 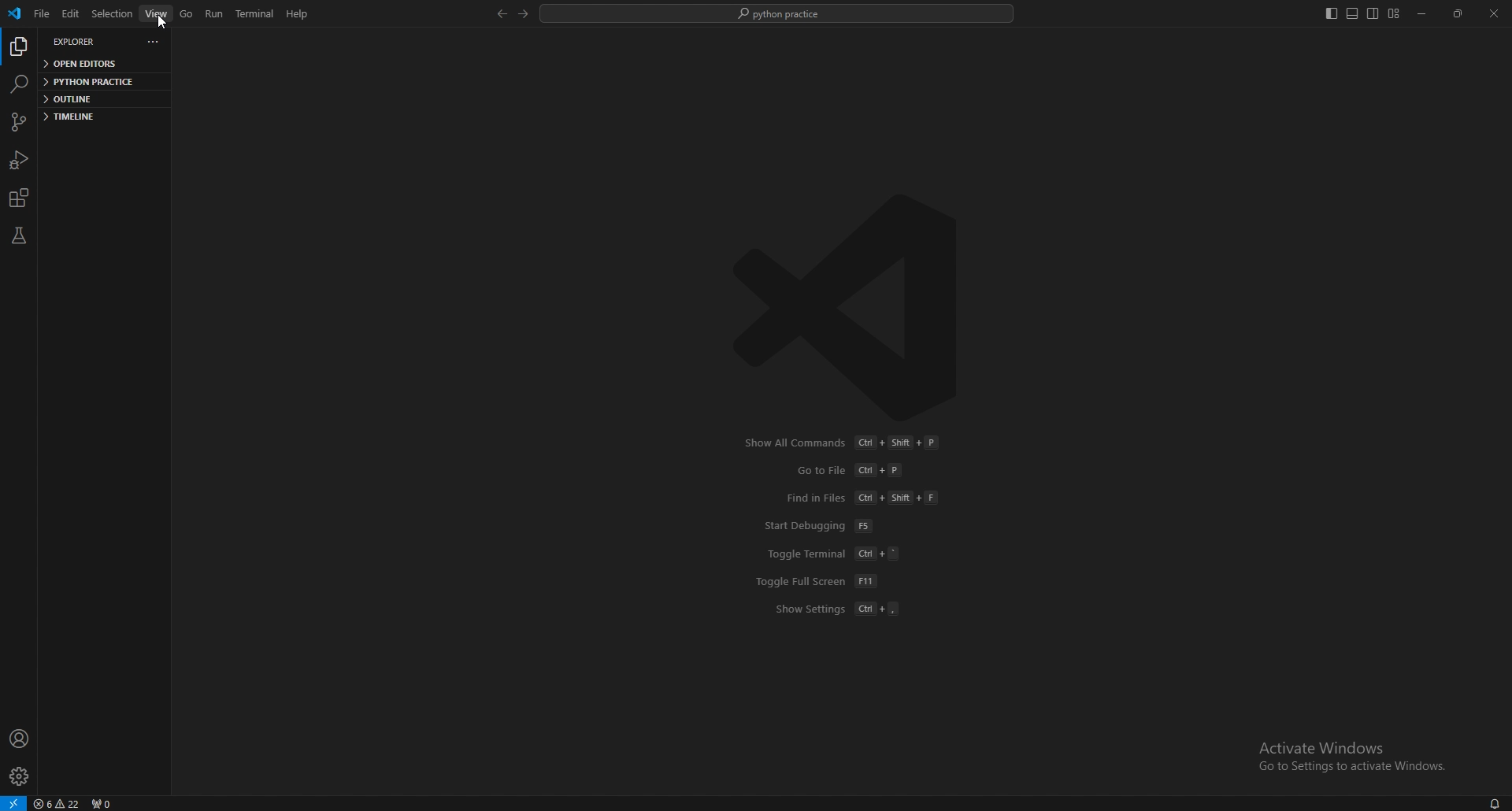 What do you see at coordinates (844, 289) in the screenshot?
I see `vscode logo` at bounding box center [844, 289].